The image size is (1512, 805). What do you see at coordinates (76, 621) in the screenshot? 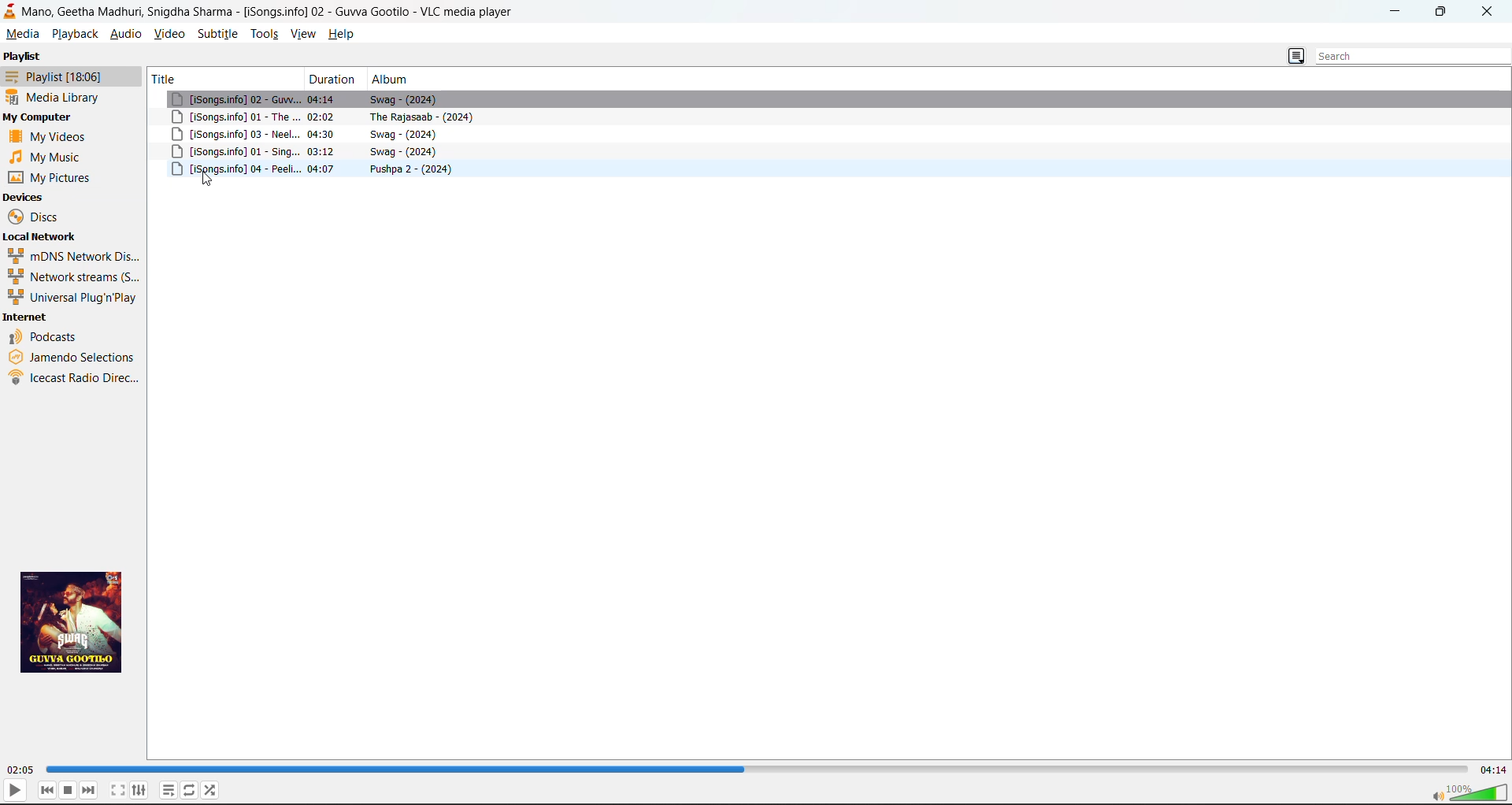
I see `thumbnail` at bounding box center [76, 621].